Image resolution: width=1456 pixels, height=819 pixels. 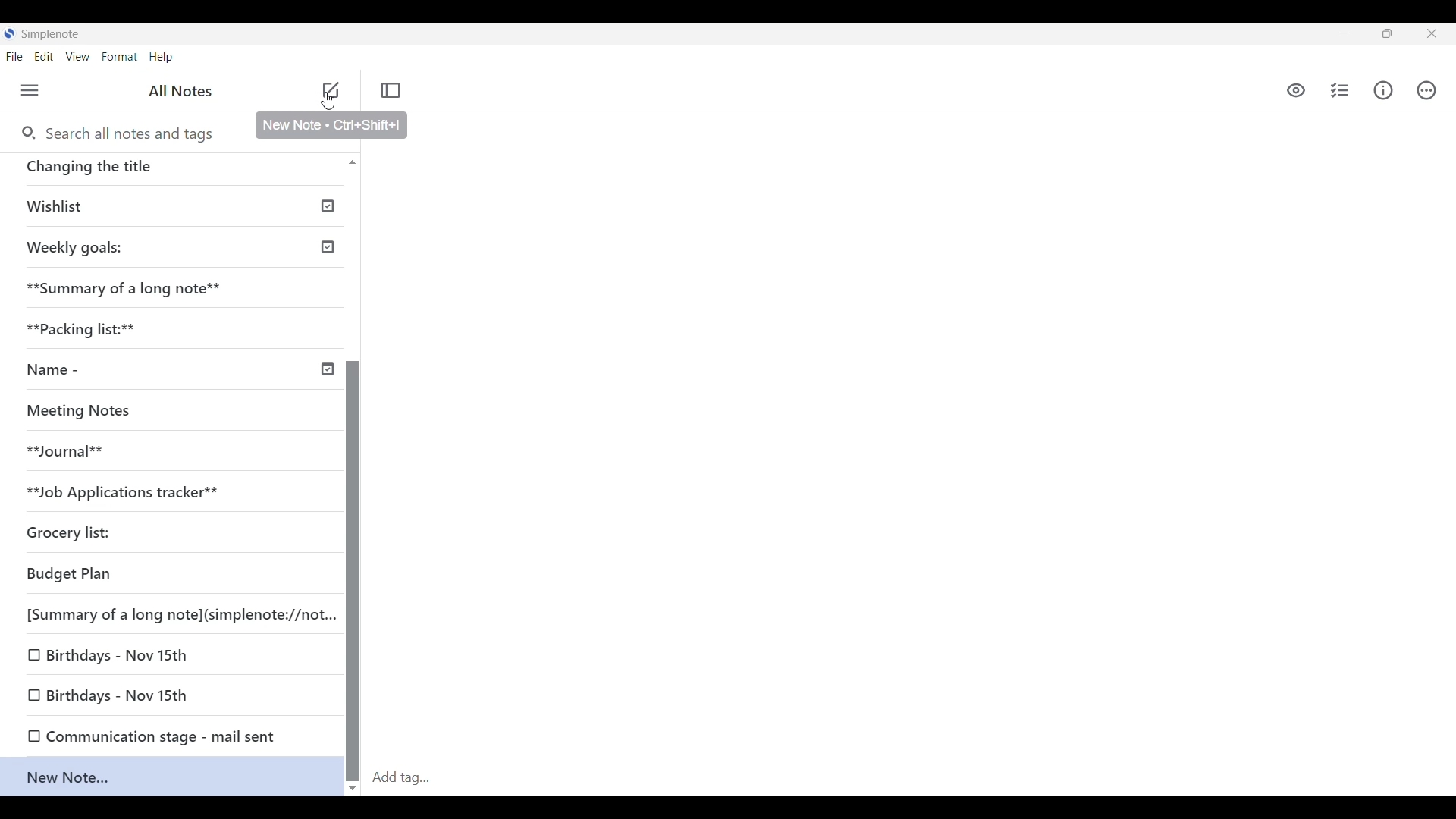 I want to click on birthdays - nov 15th, so click(x=120, y=695).